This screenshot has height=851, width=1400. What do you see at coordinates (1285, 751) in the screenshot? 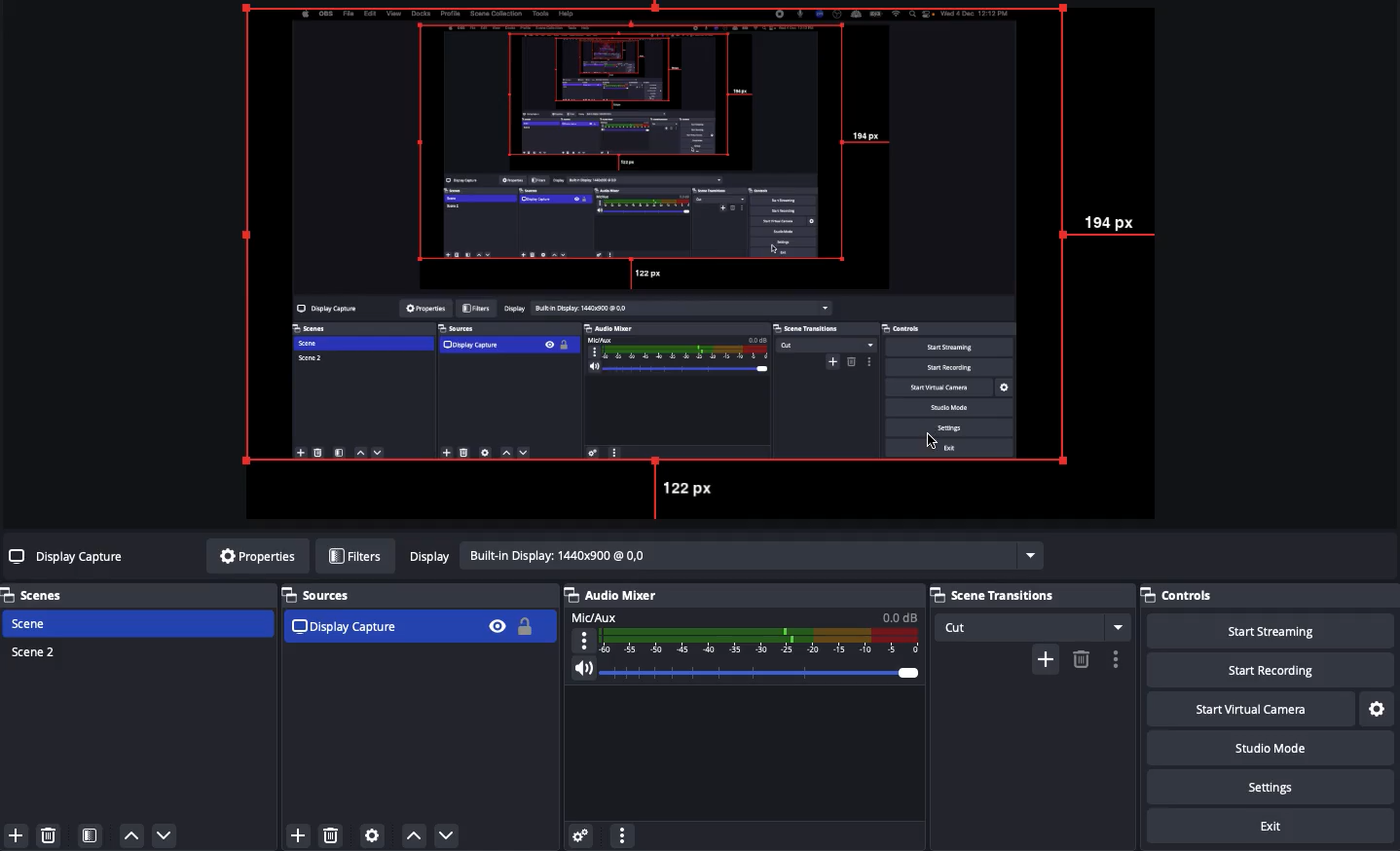
I see `Studio mode` at bounding box center [1285, 751].